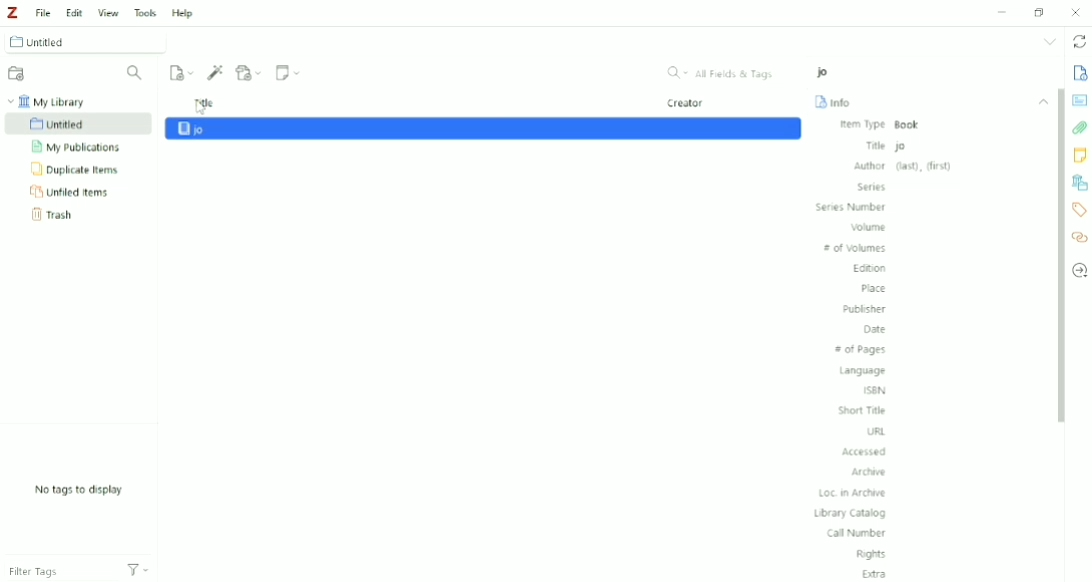 The image size is (1092, 582). Describe the element at coordinates (875, 330) in the screenshot. I see `Date` at that location.